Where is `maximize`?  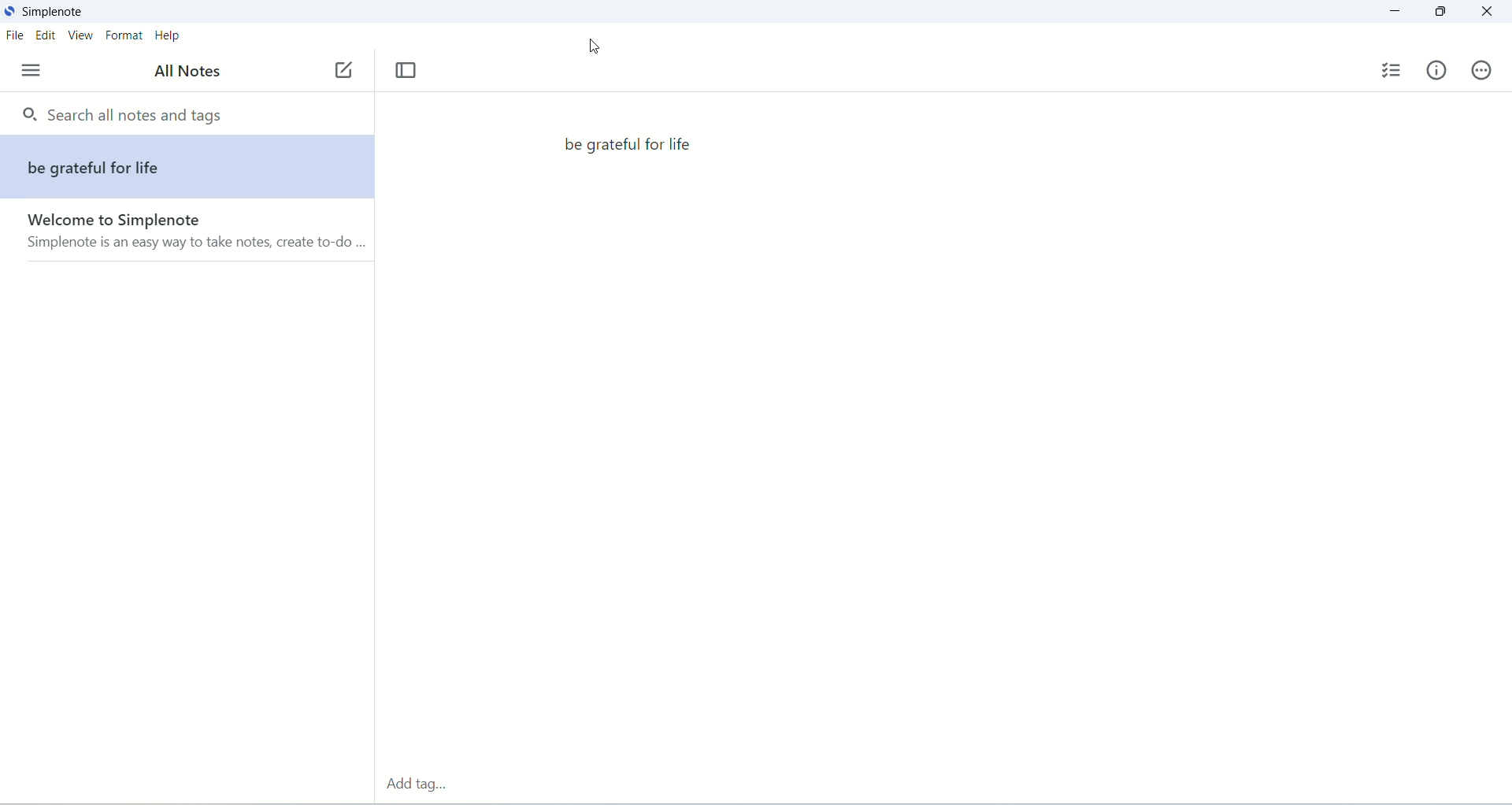
maximize is located at coordinates (1443, 14).